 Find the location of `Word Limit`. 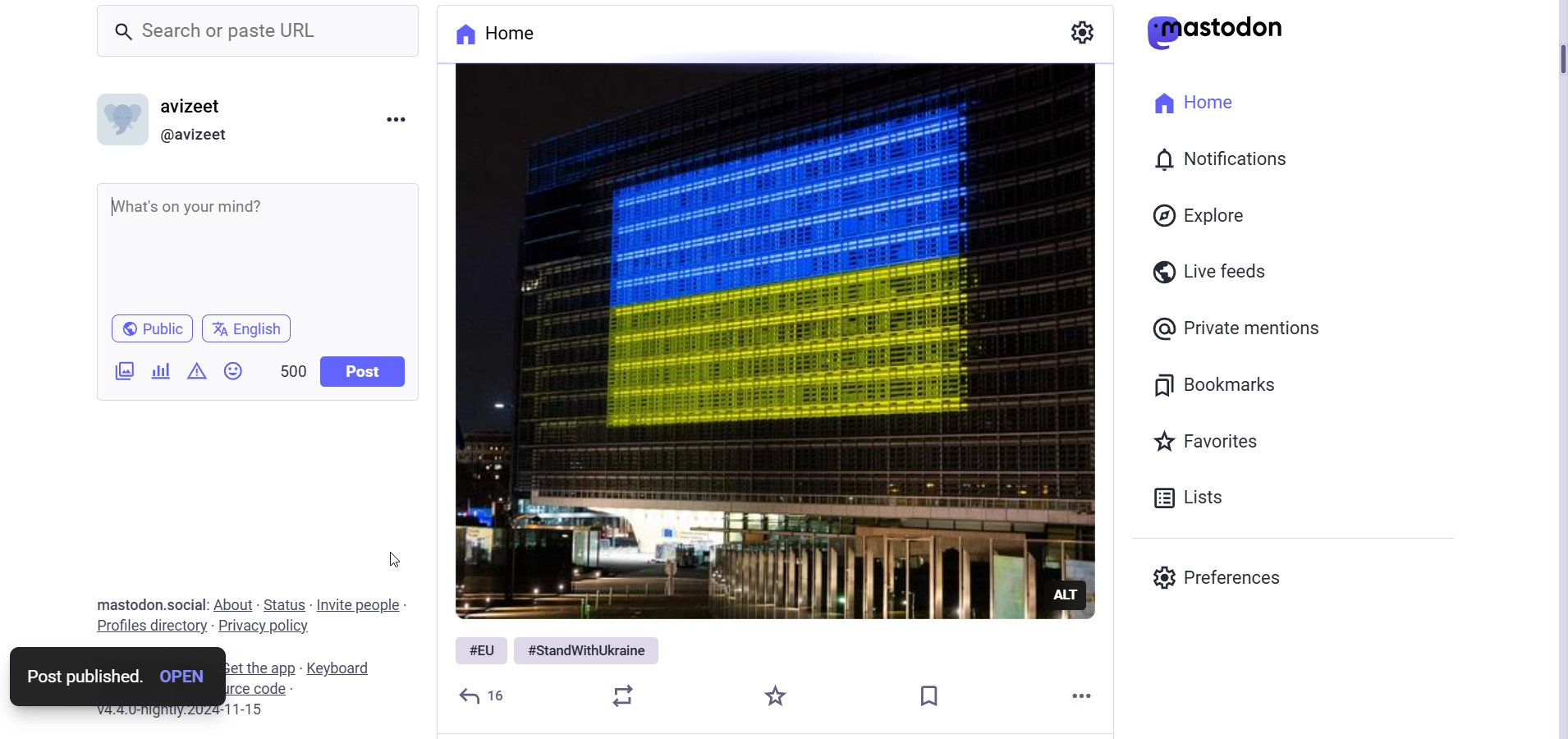

Word Limit is located at coordinates (292, 369).